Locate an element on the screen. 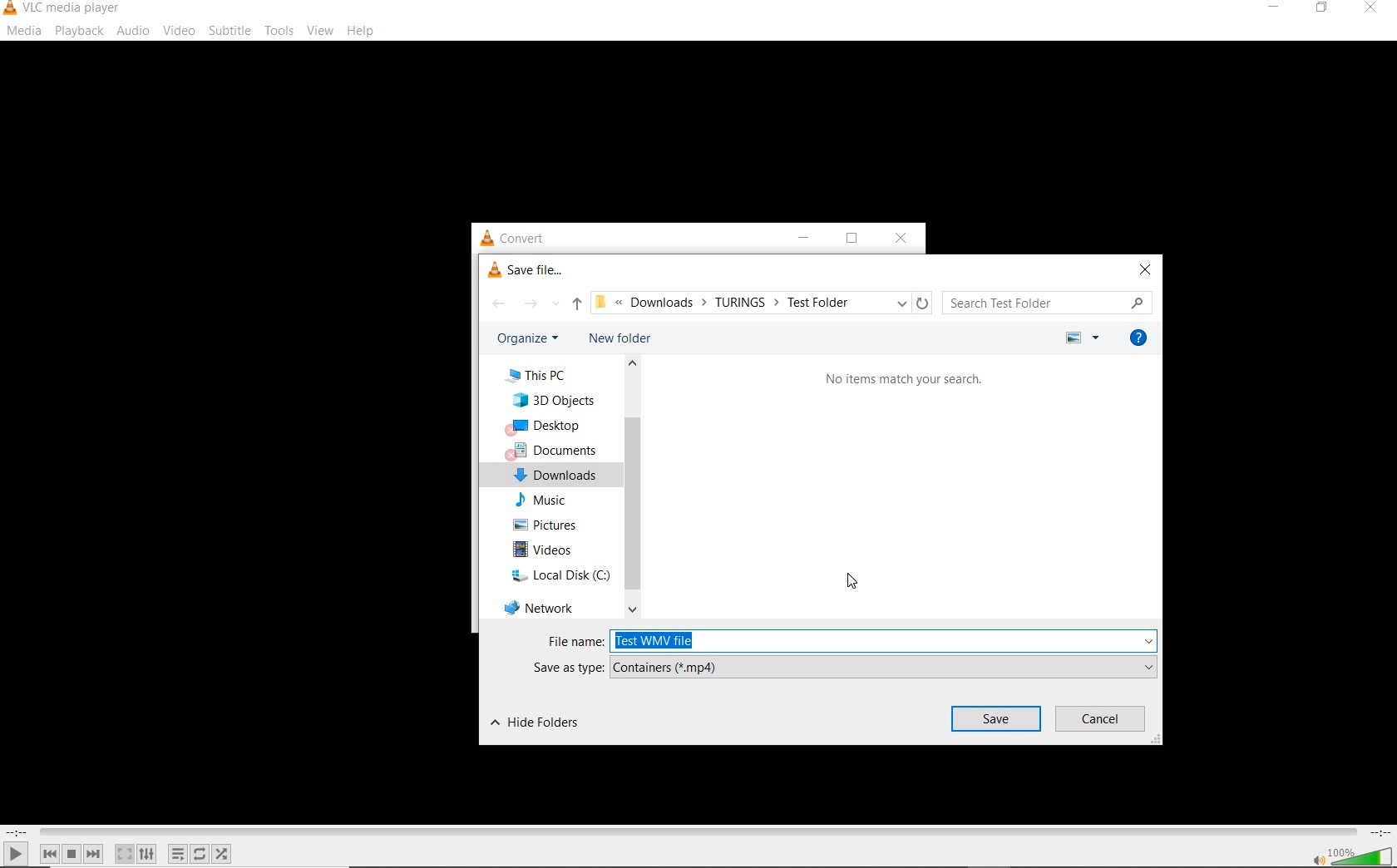 The height and width of the screenshot is (868, 1397). scrollbar is located at coordinates (631, 487).